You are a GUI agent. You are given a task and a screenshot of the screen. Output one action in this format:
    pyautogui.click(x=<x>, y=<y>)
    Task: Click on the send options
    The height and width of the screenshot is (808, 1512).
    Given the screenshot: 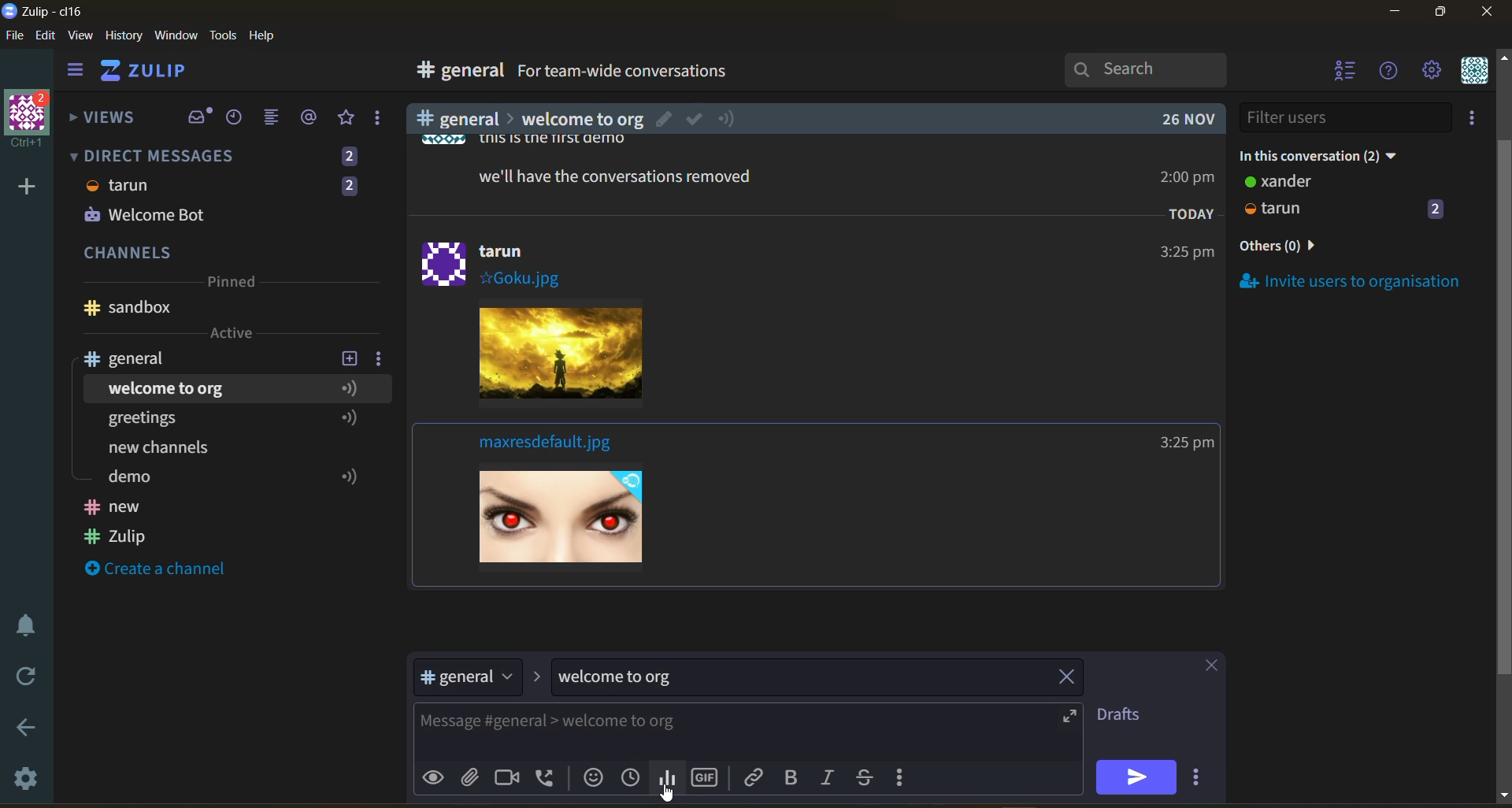 What is the action you would take?
    pyautogui.click(x=1195, y=782)
    